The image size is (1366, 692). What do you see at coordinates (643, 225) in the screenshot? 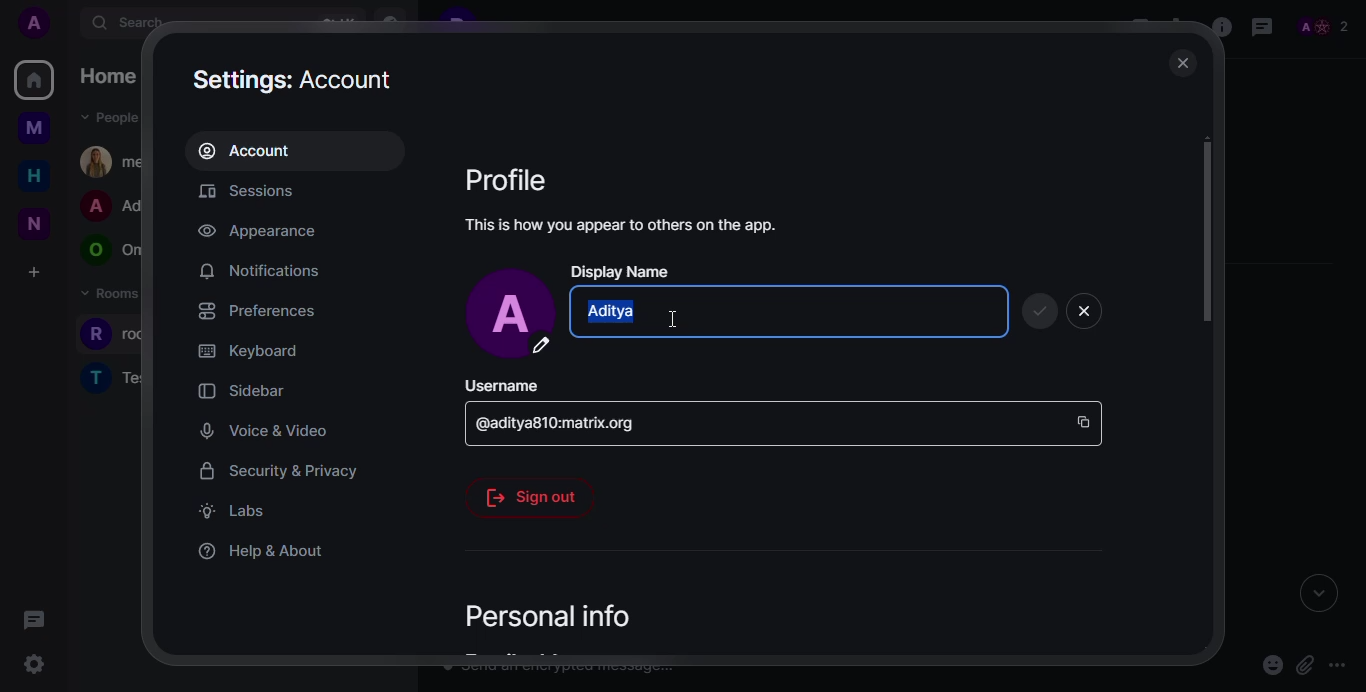
I see `This is how you appear to others on the app.` at bounding box center [643, 225].